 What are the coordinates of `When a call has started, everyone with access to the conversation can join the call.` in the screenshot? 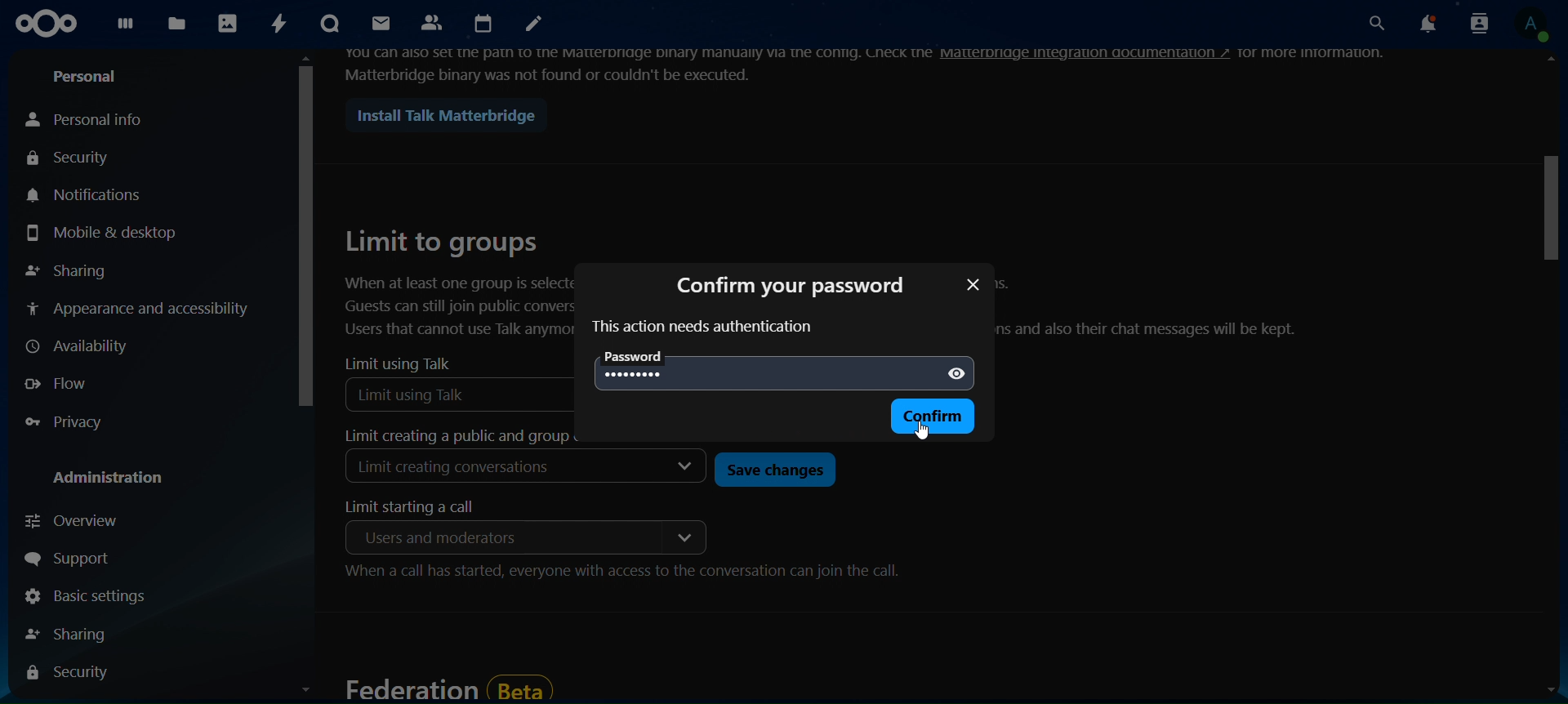 It's located at (622, 574).